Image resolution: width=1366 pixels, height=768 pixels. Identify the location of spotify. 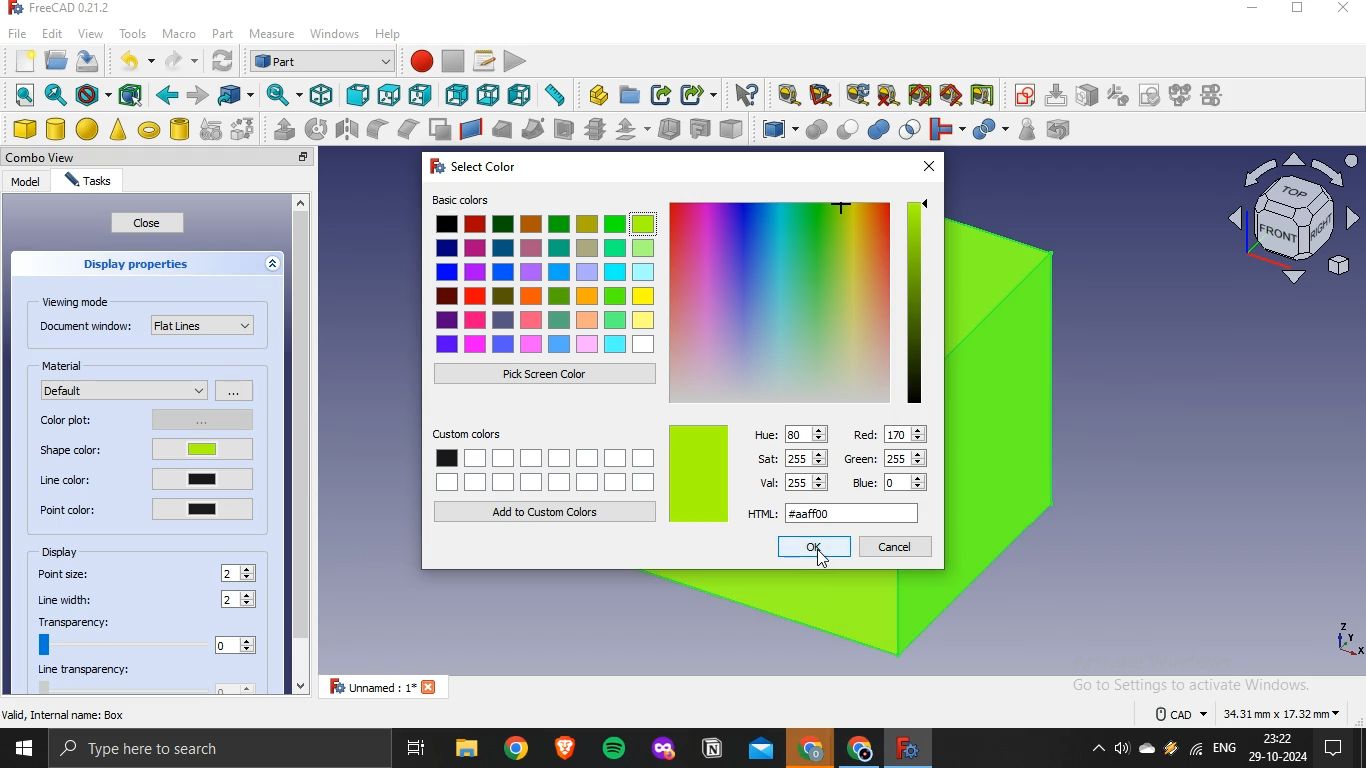
(616, 750).